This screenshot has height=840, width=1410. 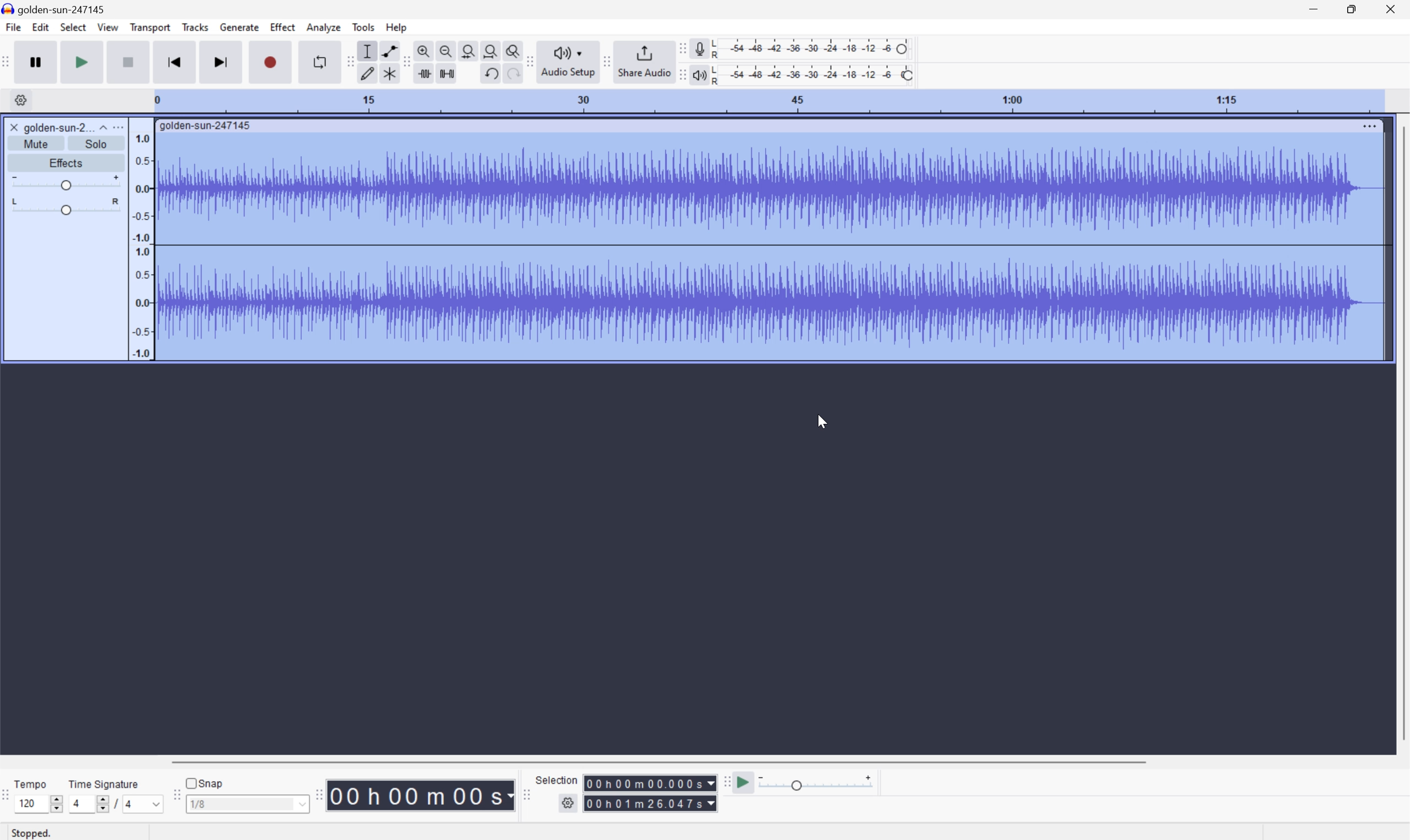 What do you see at coordinates (510, 50) in the screenshot?
I see `Zoom toggle` at bounding box center [510, 50].